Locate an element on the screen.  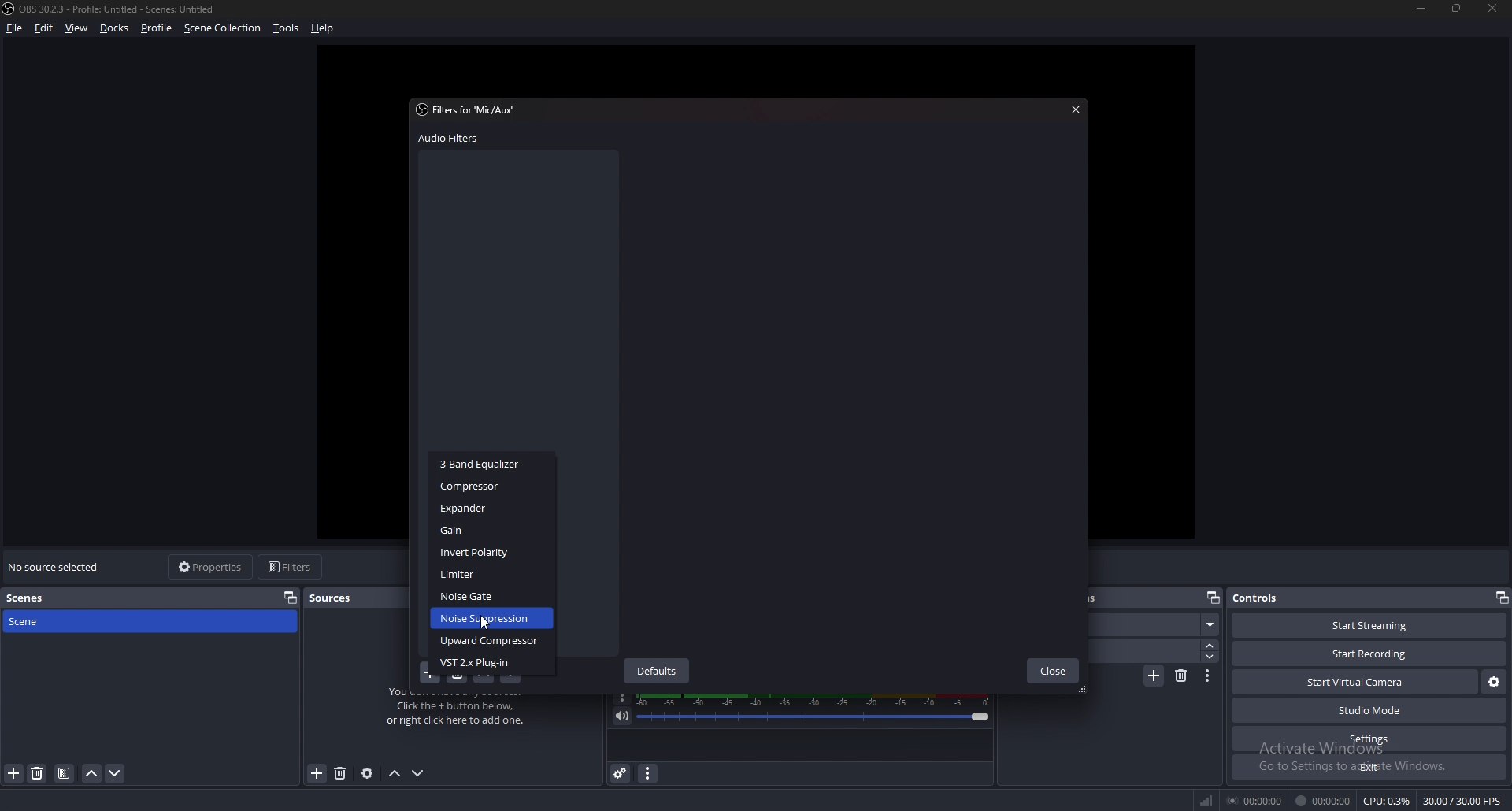
settings is located at coordinates (1369, 739).